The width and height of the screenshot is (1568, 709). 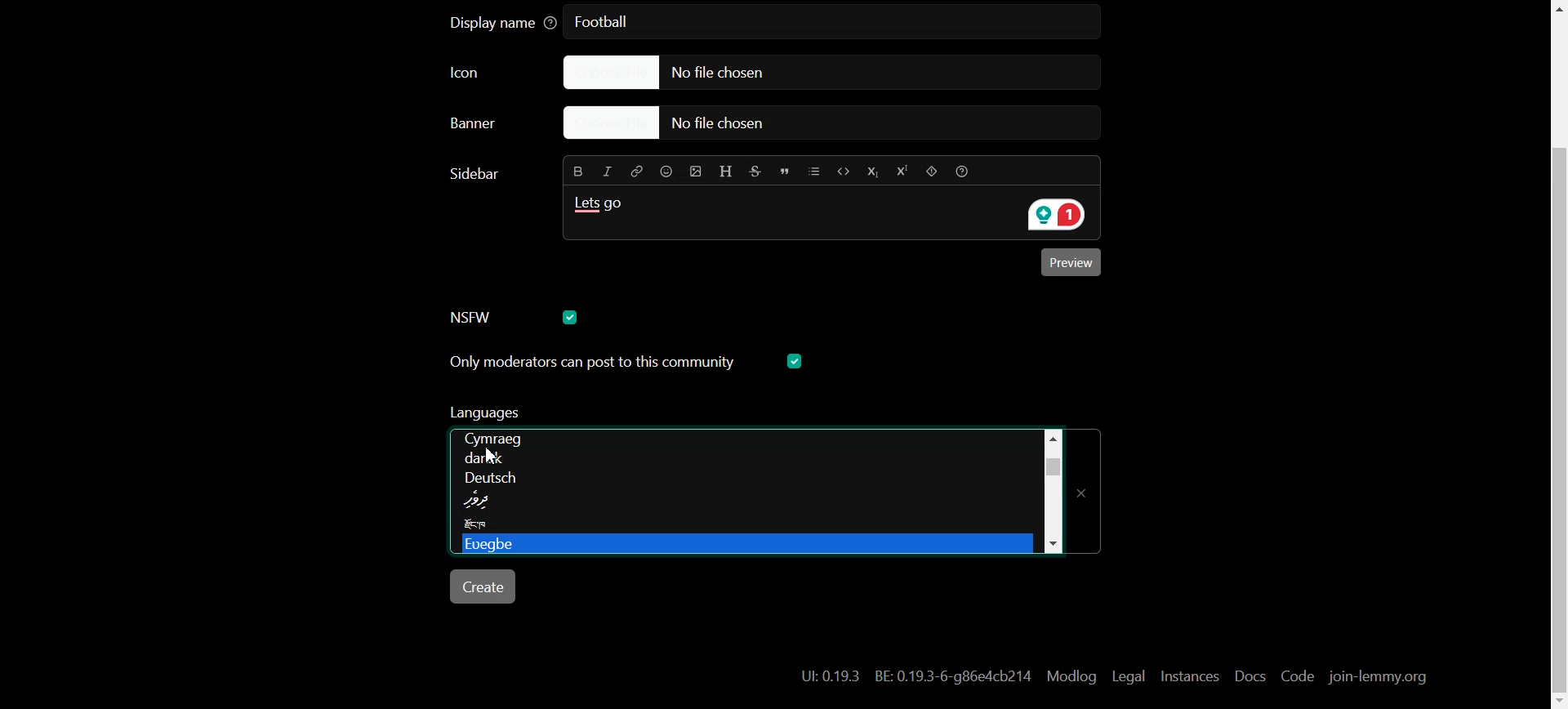 I want to click on check, so click(x=797, y=361).